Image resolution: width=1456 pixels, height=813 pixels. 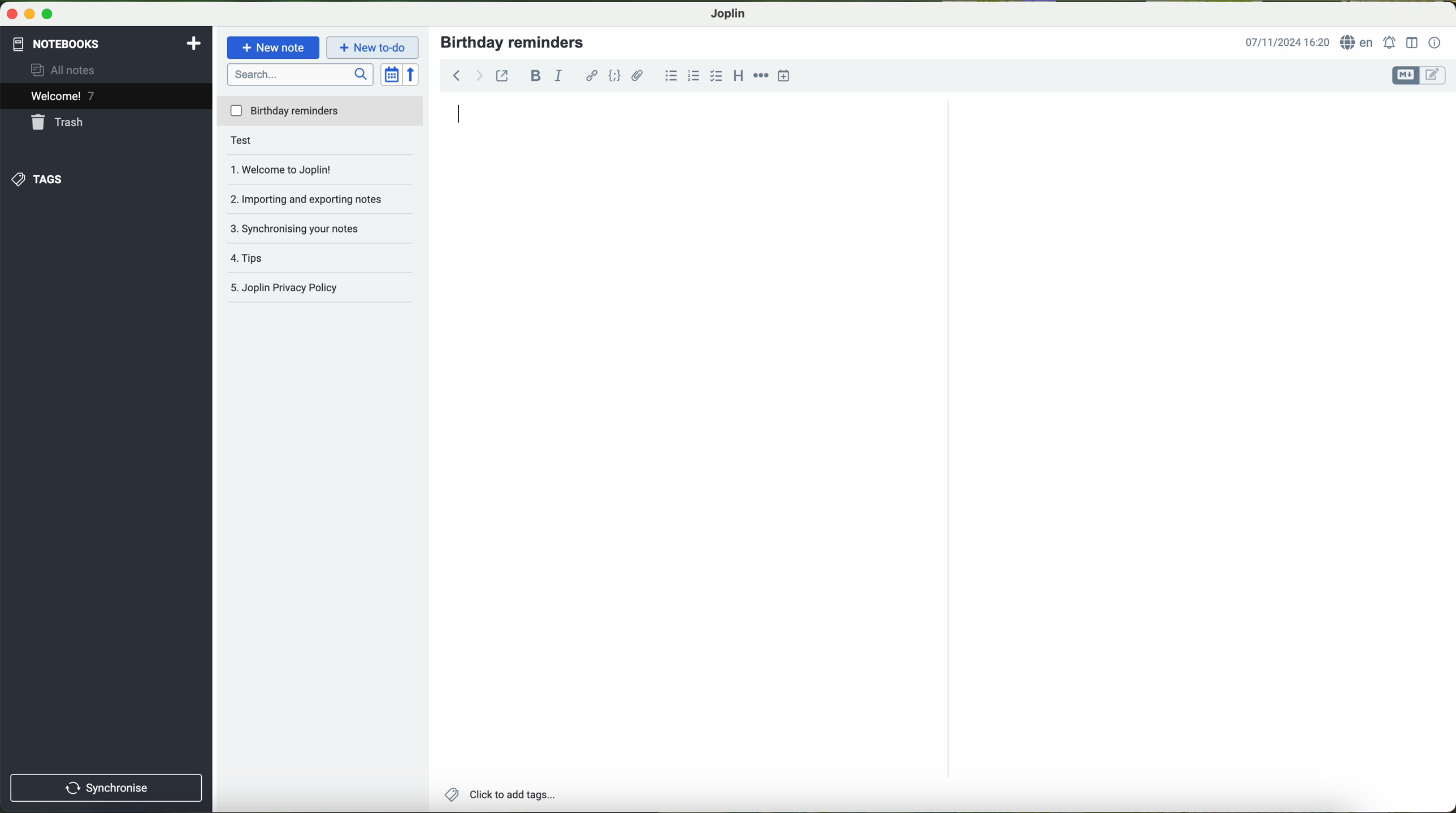 I want to click on birthday reminders, so click(x=515, y=42).